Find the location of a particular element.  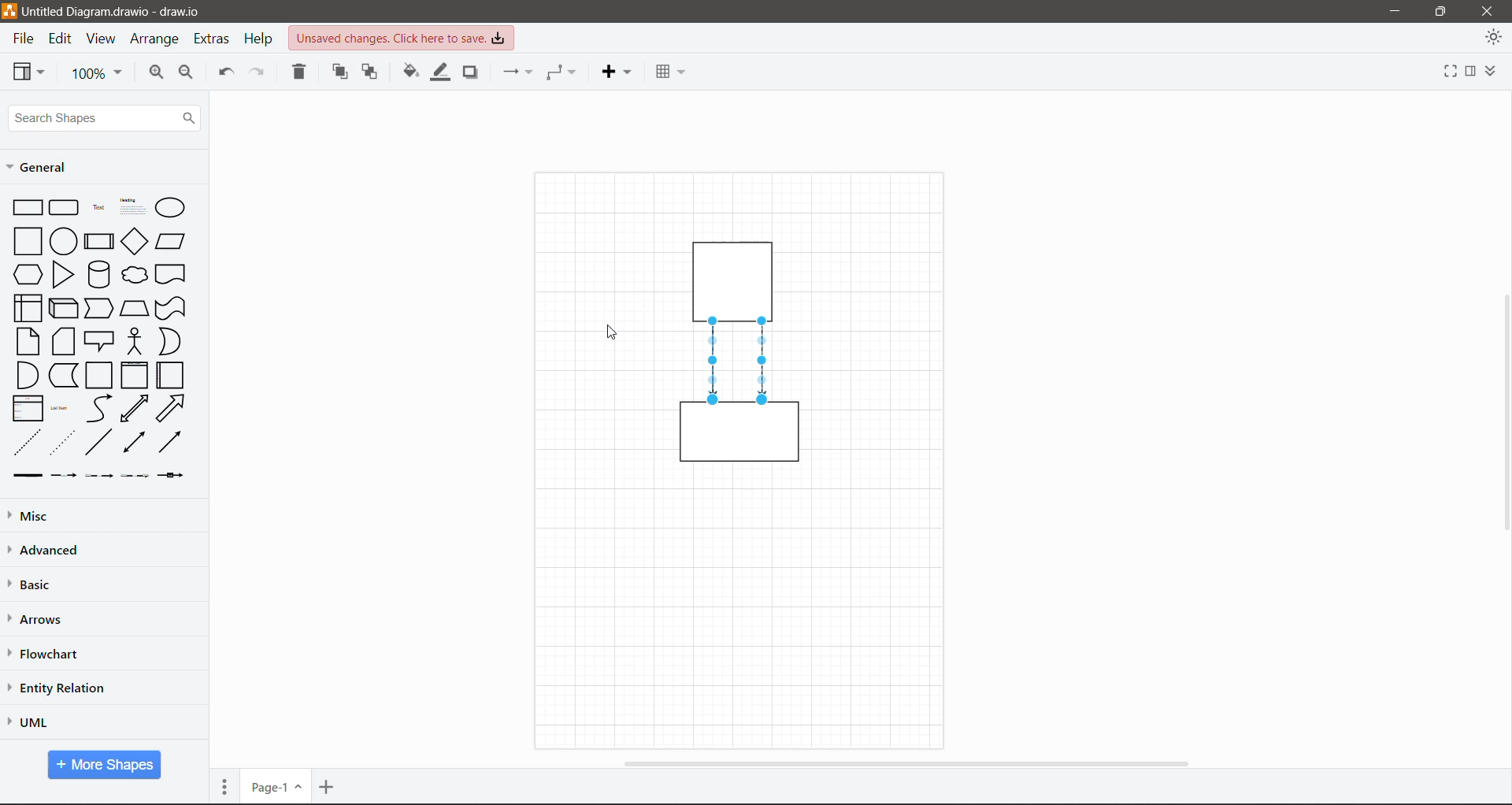

Horizontal Container is located at coordinates (171, 375).